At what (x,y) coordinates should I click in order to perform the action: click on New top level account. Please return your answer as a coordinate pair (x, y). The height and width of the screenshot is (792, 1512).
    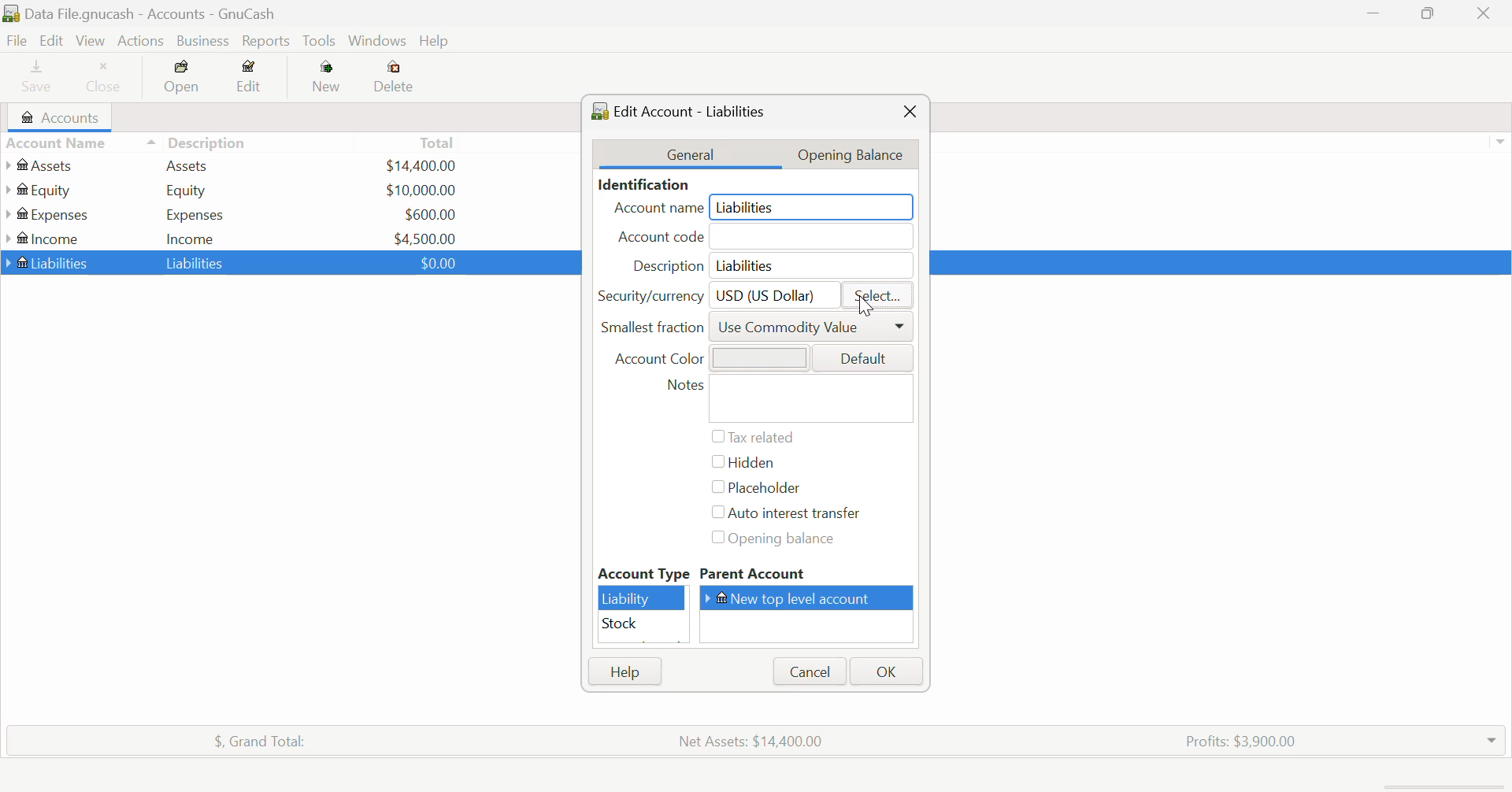
    Looking at the image, I should click on (812, 598).